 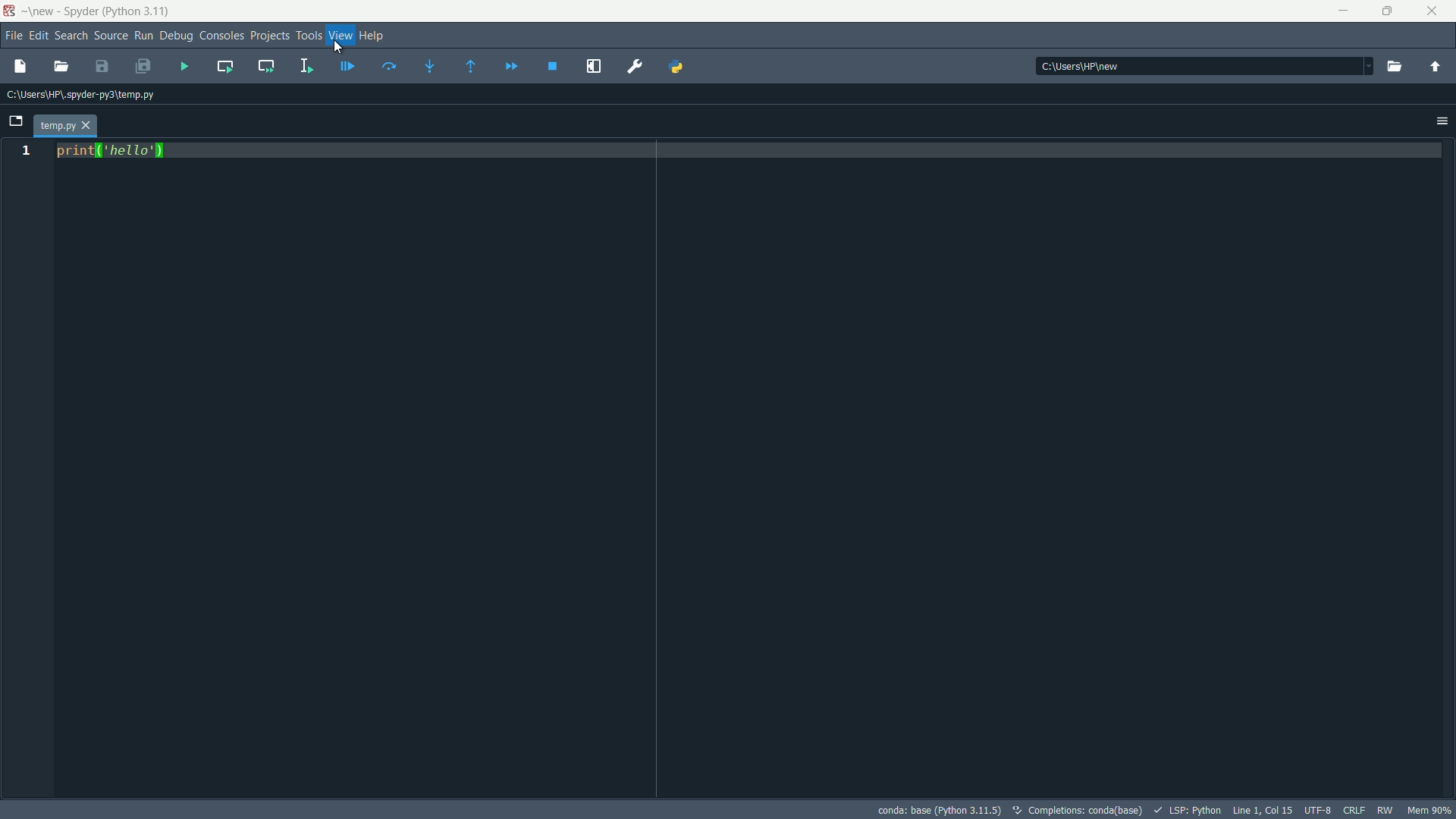 I want to click on Line1, col 15, so click(x=1263, y=810).